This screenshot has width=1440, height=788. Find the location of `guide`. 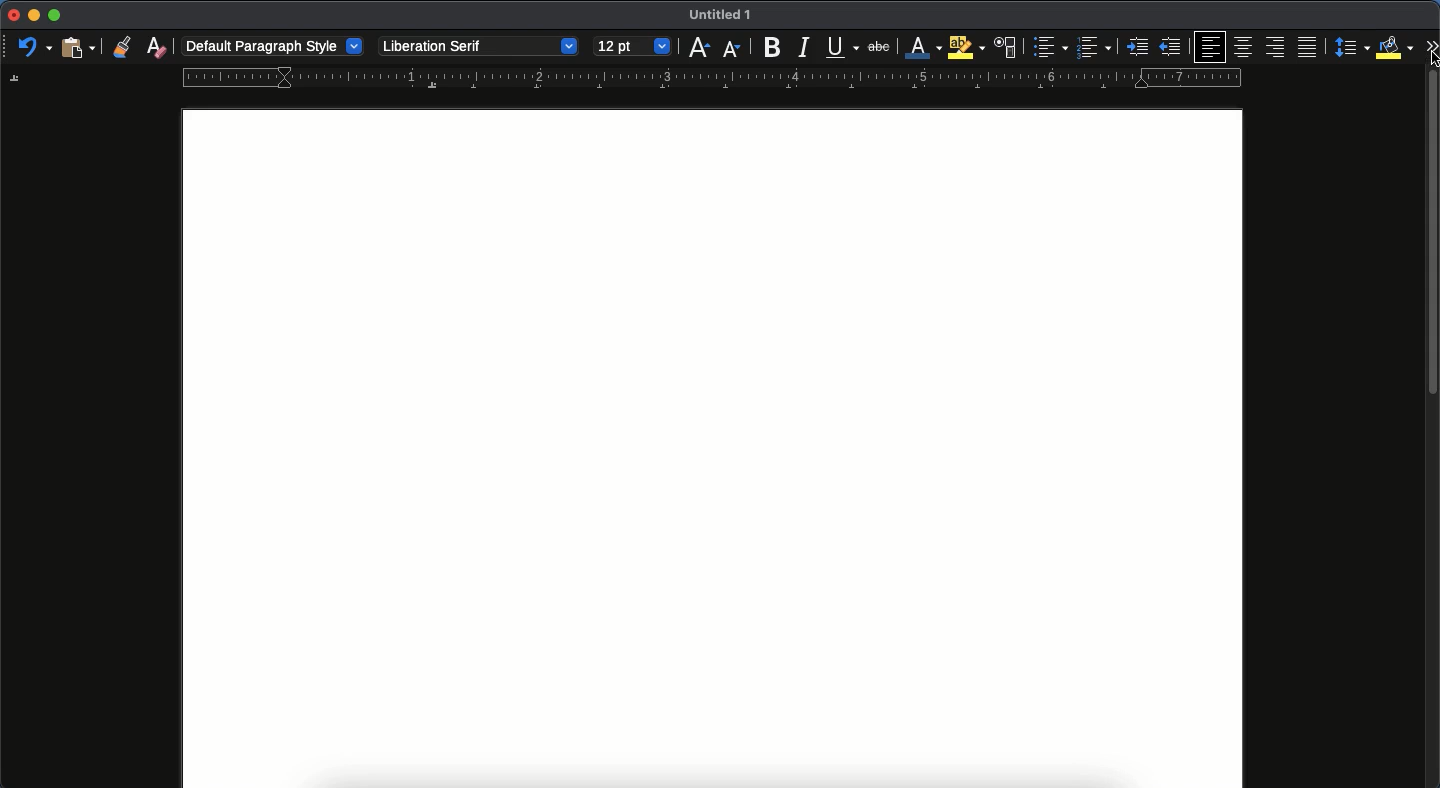

guide is located at coordinates (711, 78).